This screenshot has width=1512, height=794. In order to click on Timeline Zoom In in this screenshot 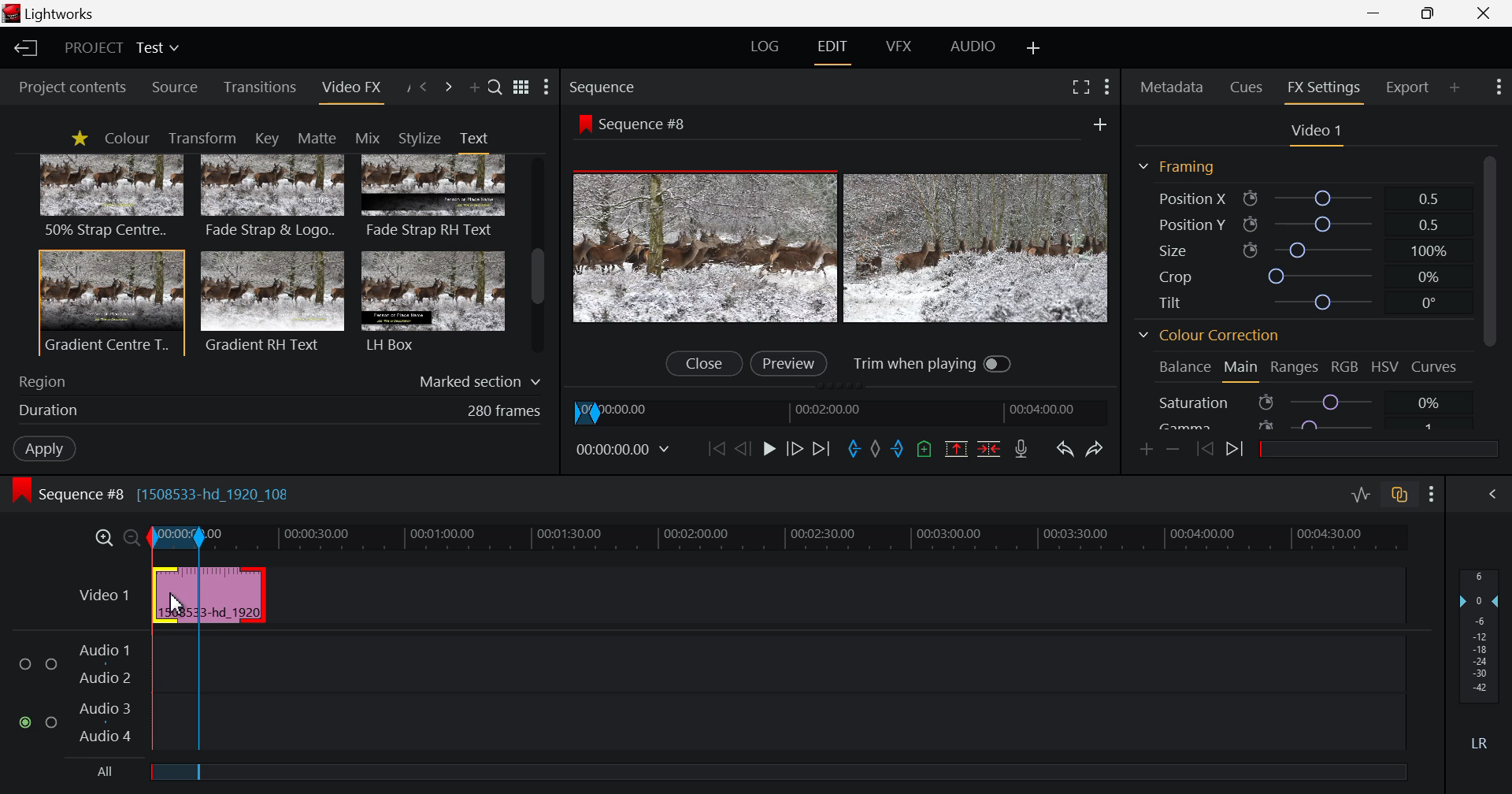, I will do `click(104, 536)`.